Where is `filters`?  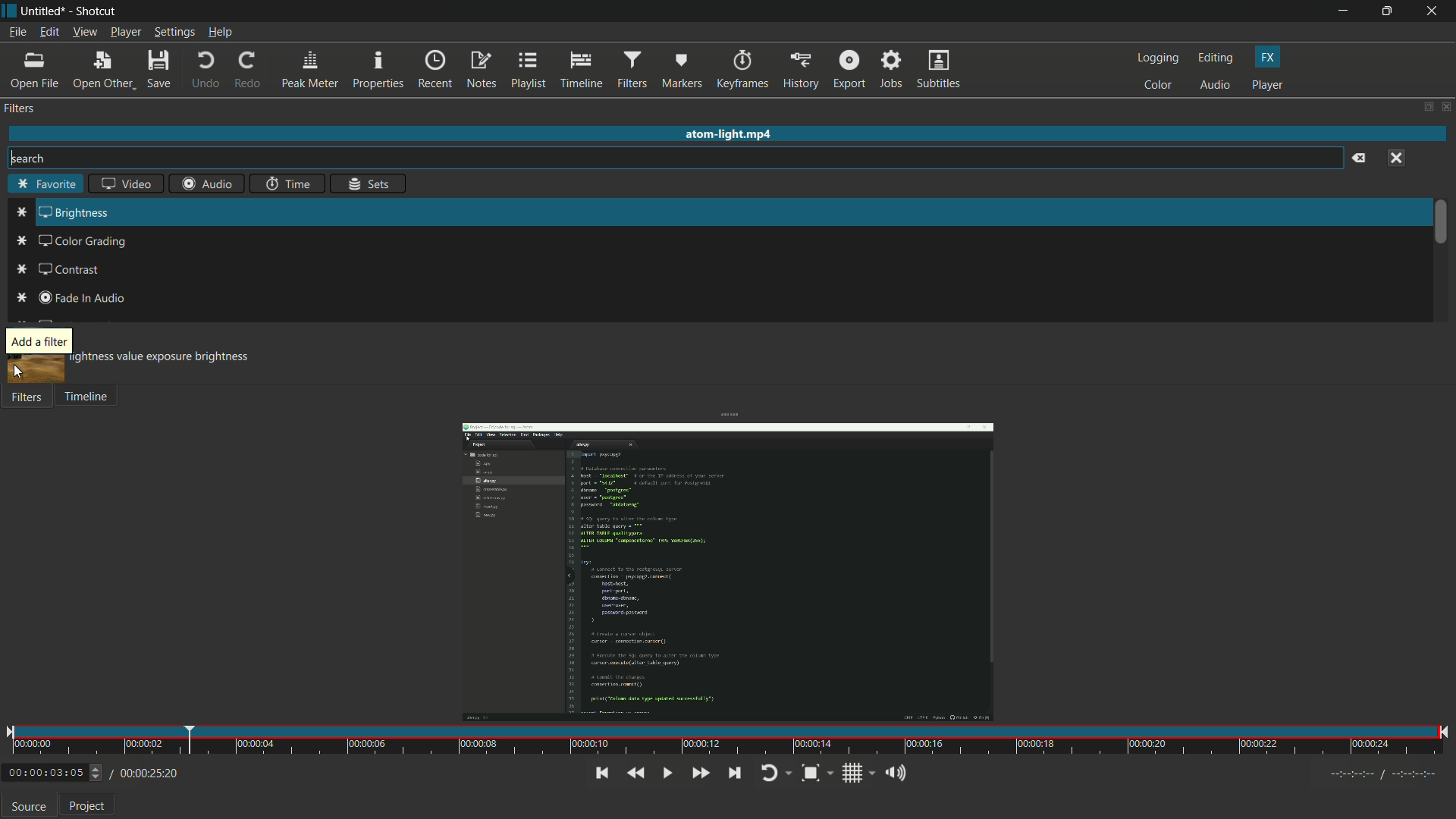
filters is located at coordinates (19, 108).